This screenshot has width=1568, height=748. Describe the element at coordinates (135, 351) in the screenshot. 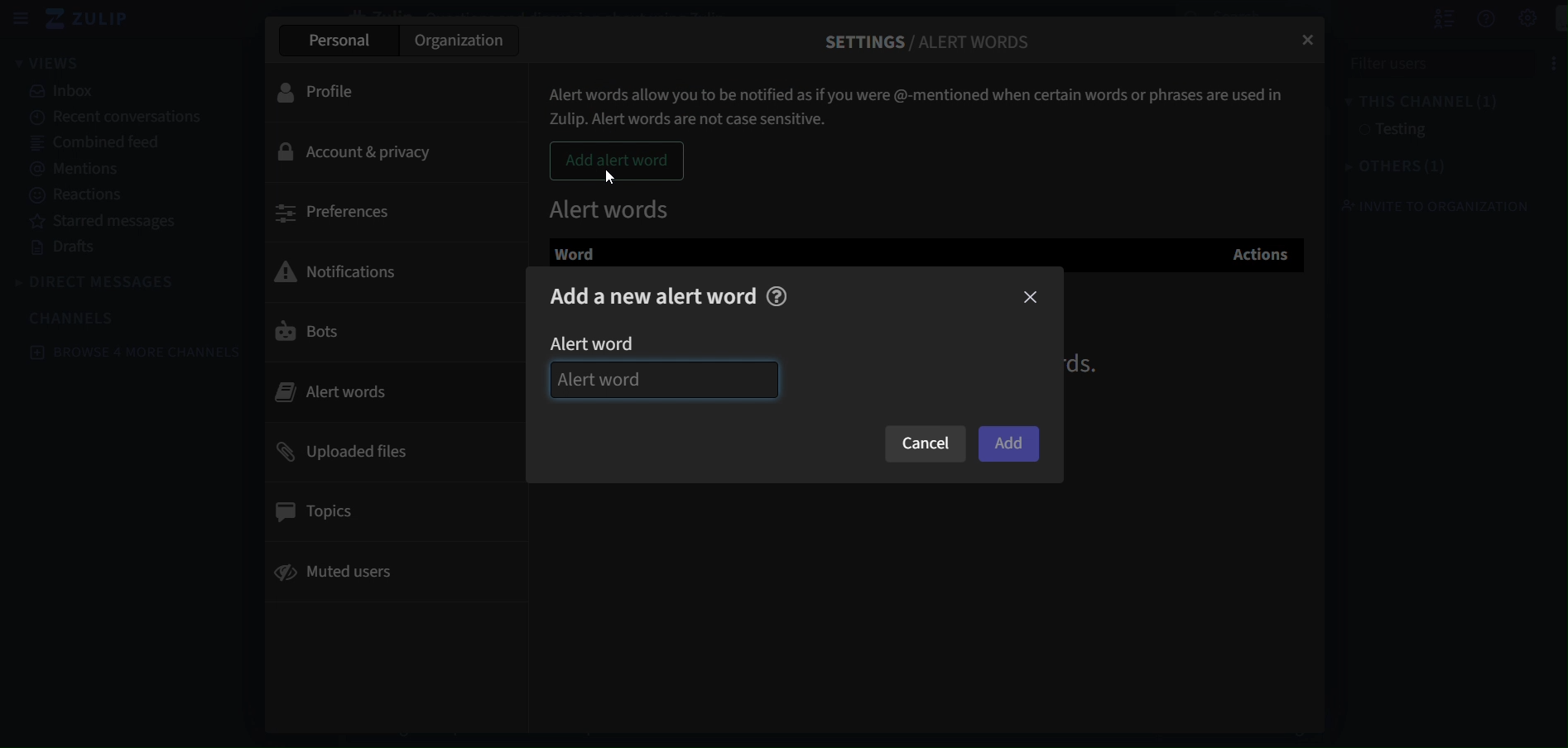

I see `browse 4 more channels` at that location.